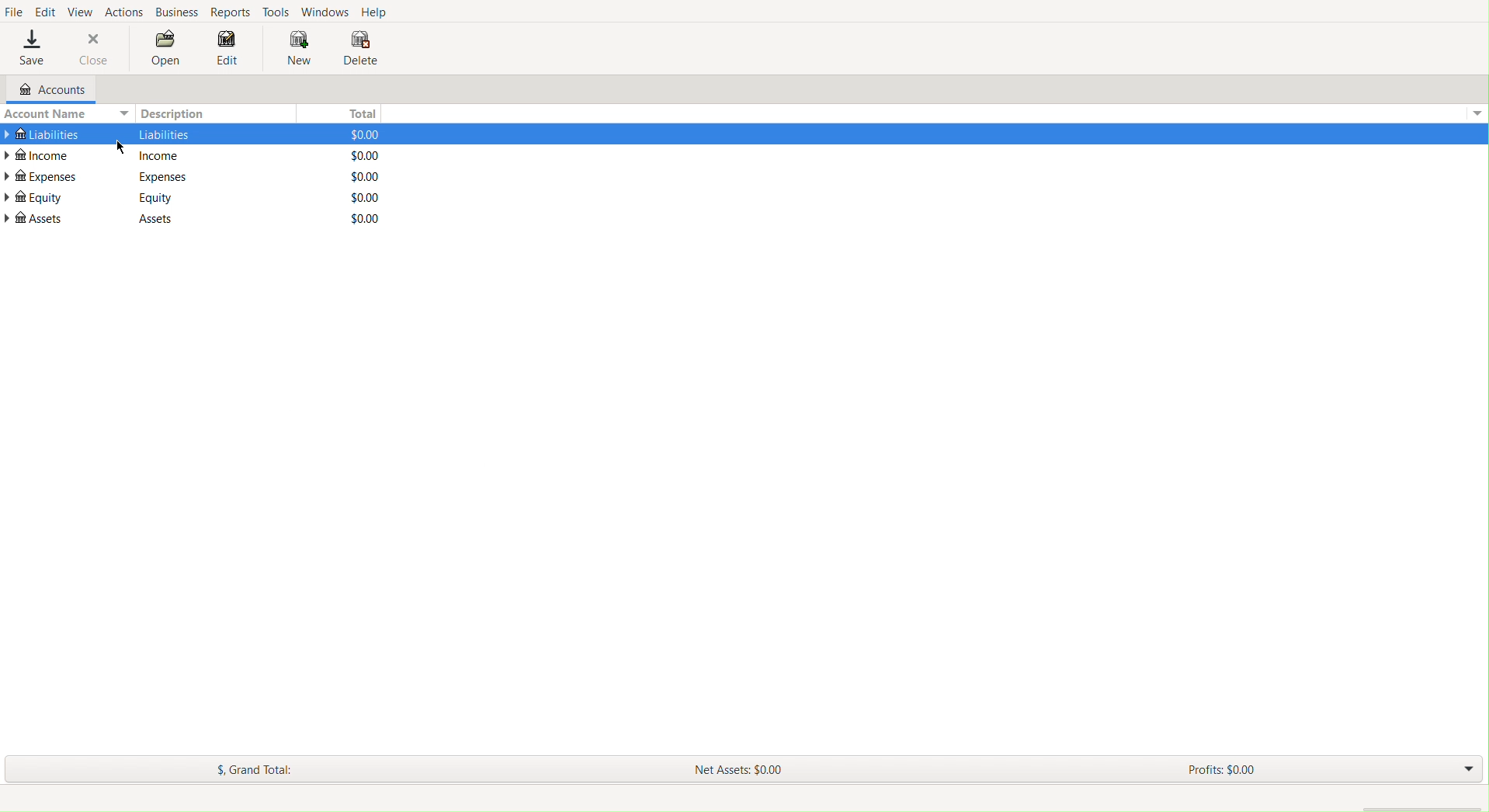  I want to click on Description, so click(177, 113).